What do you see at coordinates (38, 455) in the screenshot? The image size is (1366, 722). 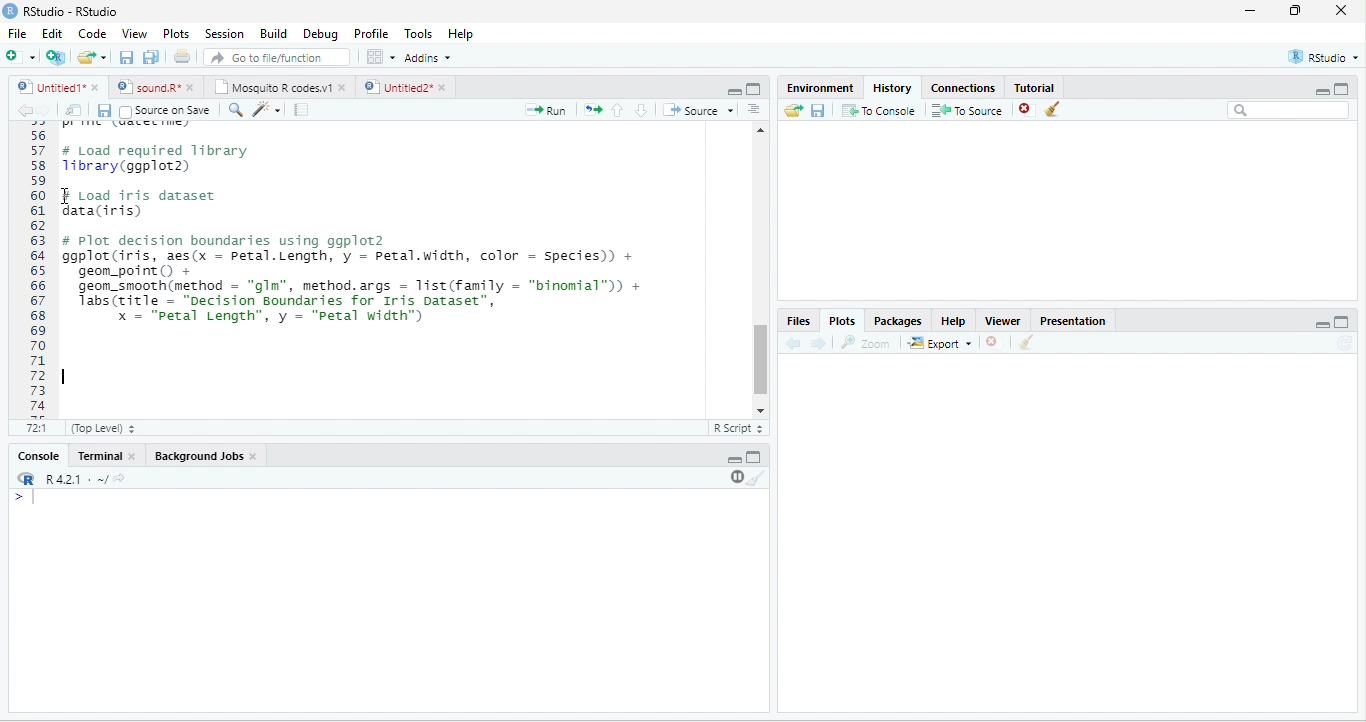 I see `Console` at bounding box center [38, 455].